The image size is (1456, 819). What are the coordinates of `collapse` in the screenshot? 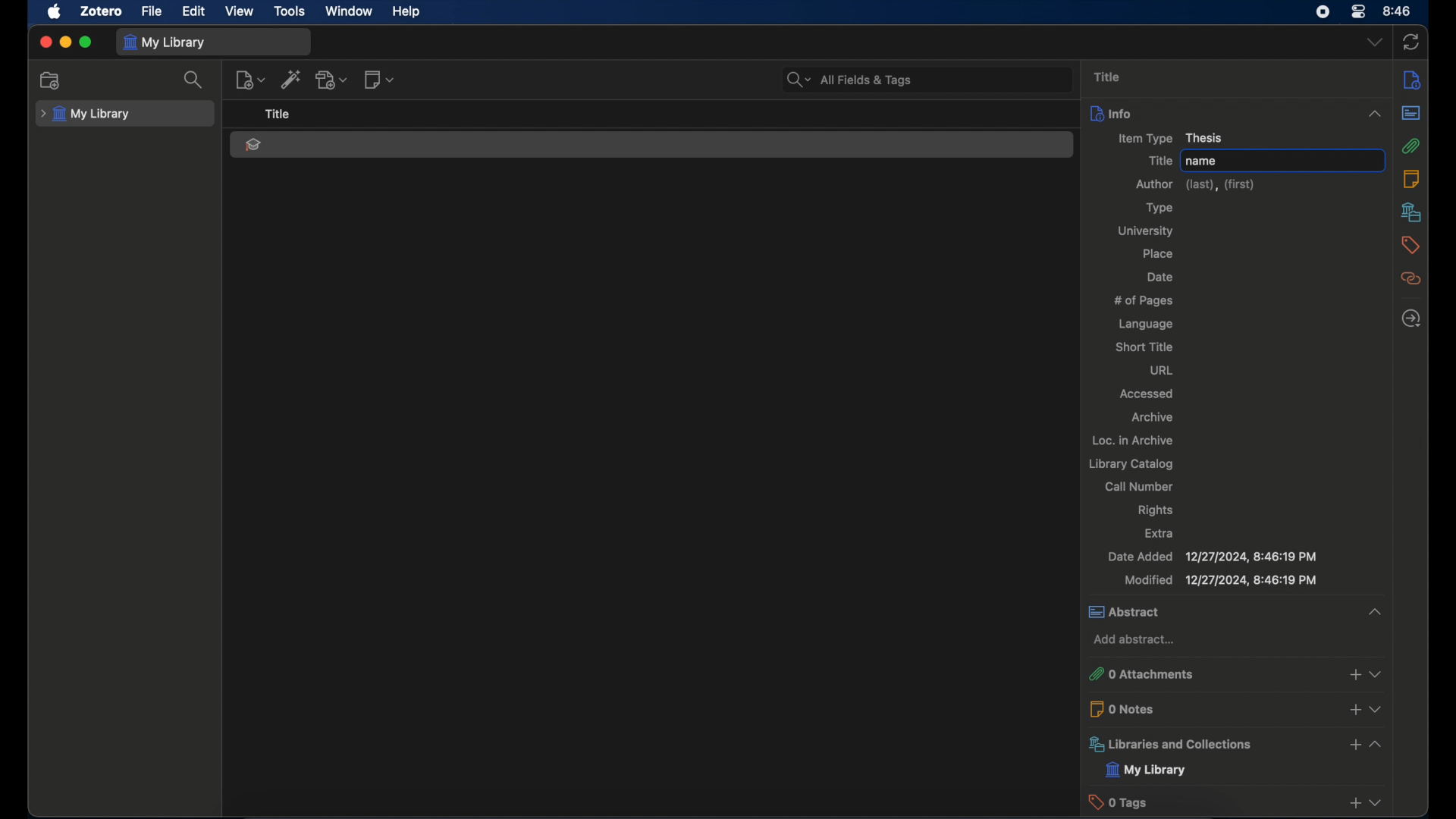 It's located at (1366, 610).